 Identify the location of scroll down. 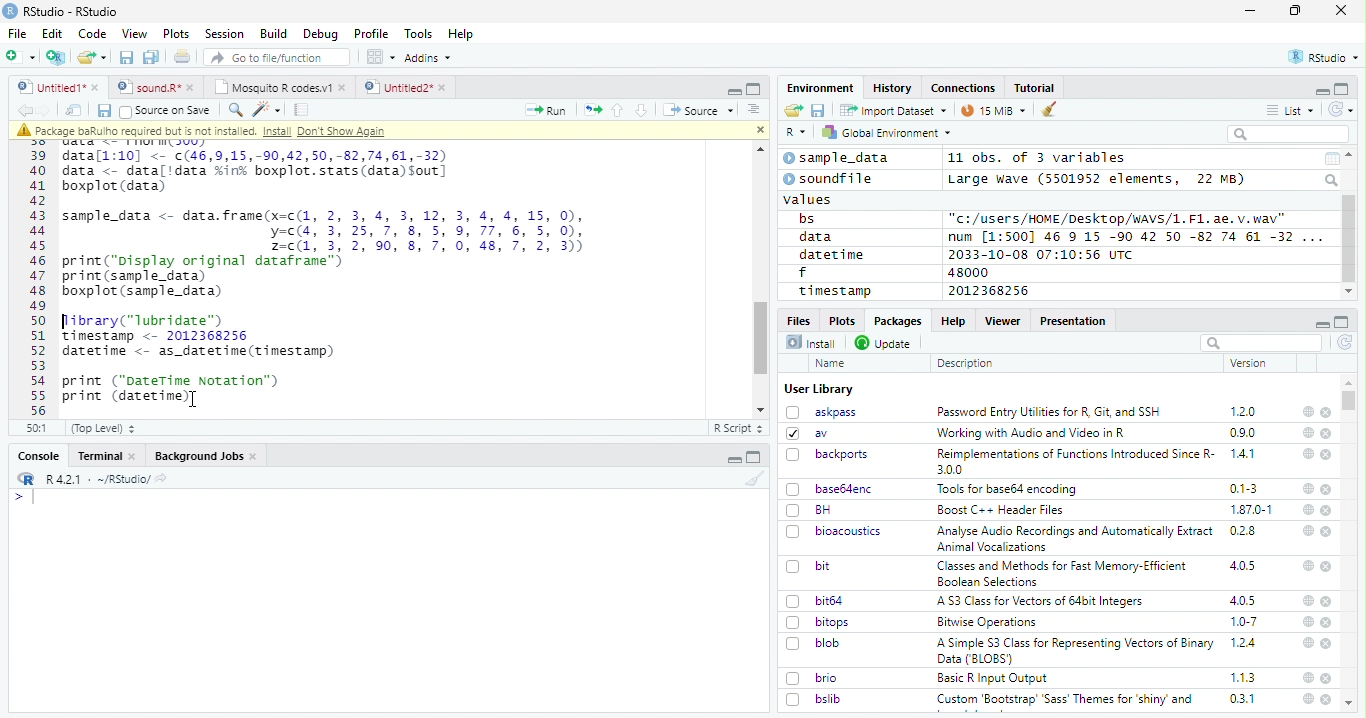
(1348, 292).